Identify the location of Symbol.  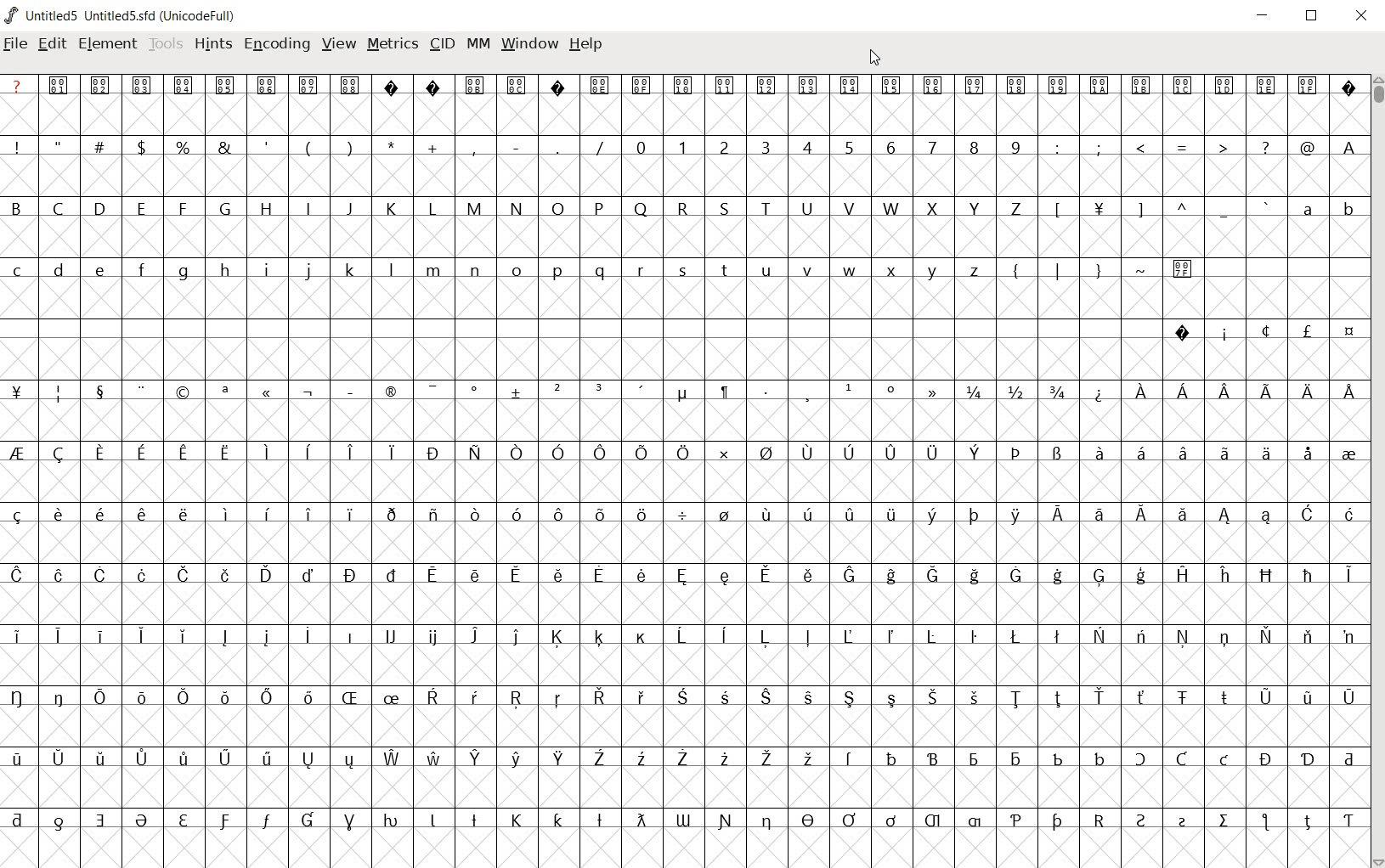
(1269, 87).